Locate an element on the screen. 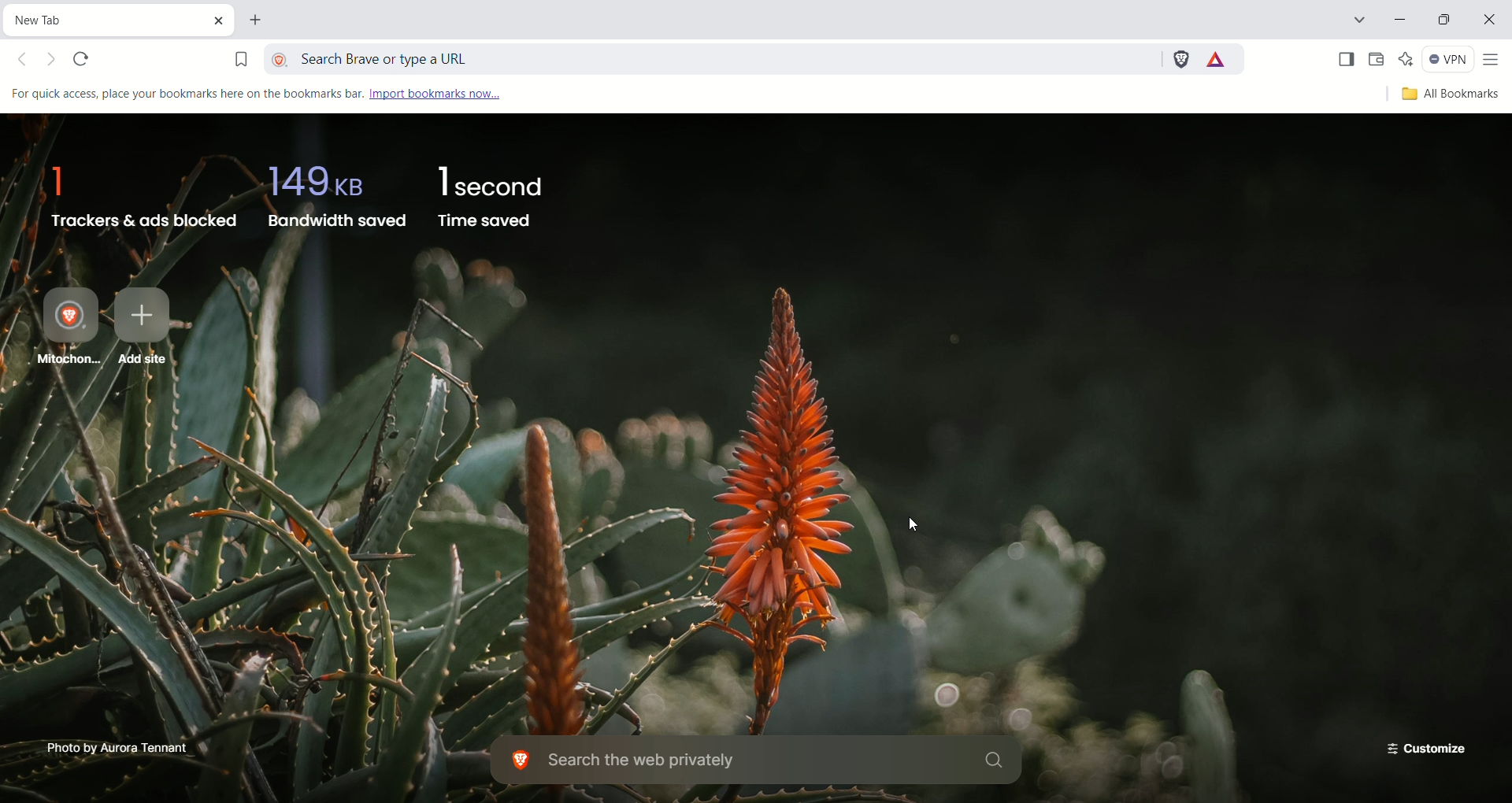 The width and height of the screenshot is (1512, 803). close current tab is located at coordinates (223, 20).